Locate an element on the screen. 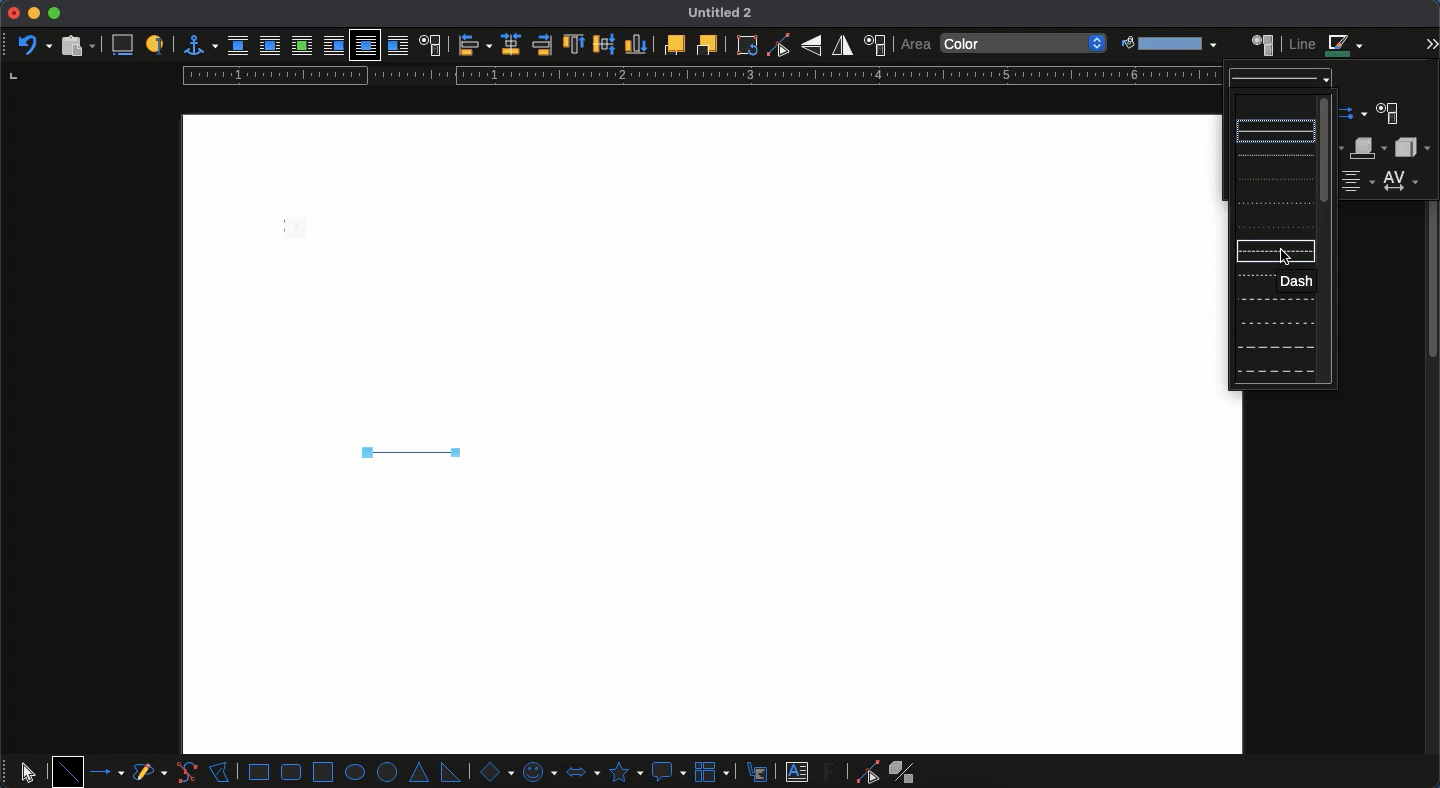 This screenshot has height=788, width=1440. extrusion is located at coordinates (906, 772).